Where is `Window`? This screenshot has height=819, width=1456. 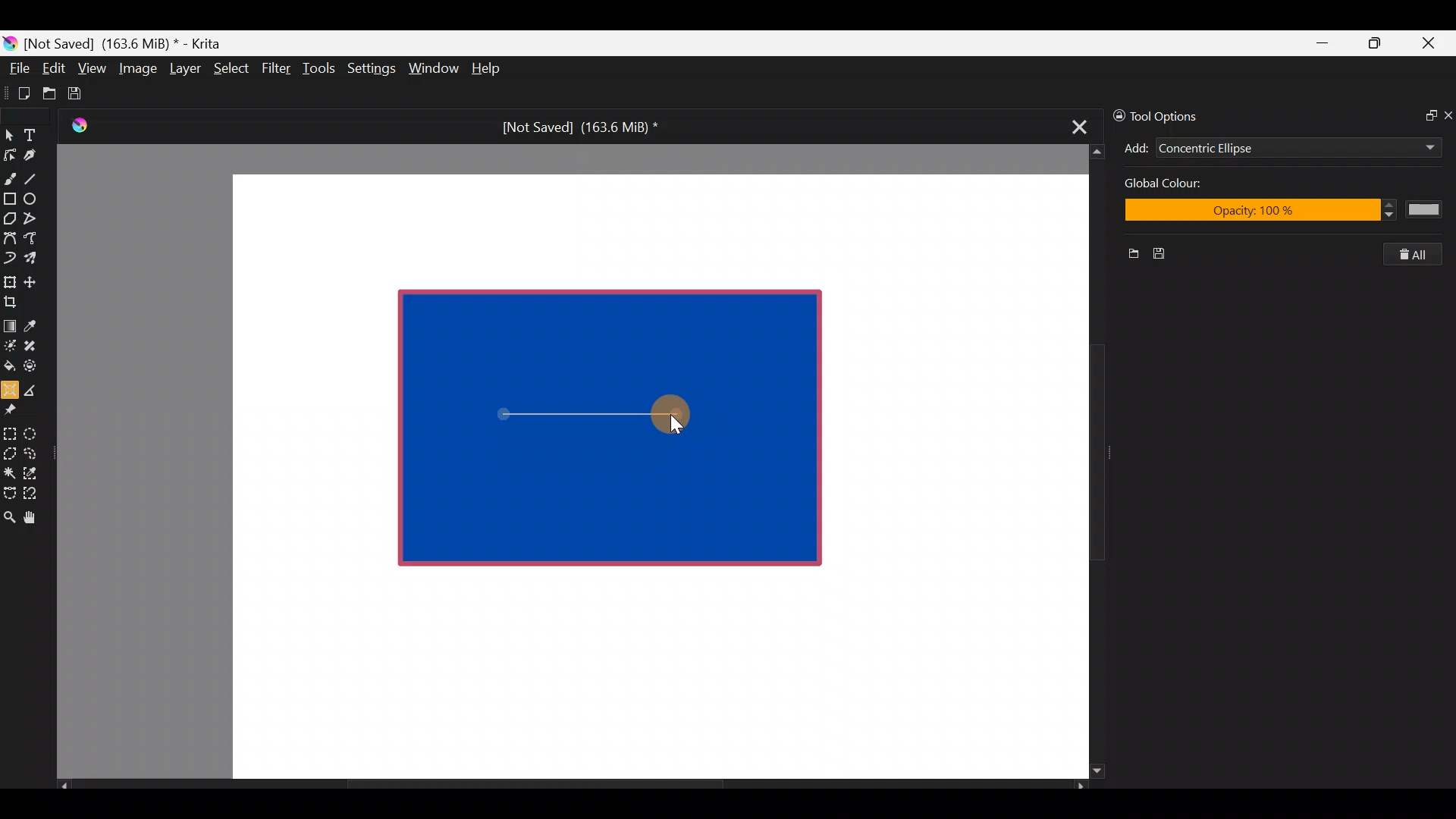
Window is located at coordinates (433, 70).